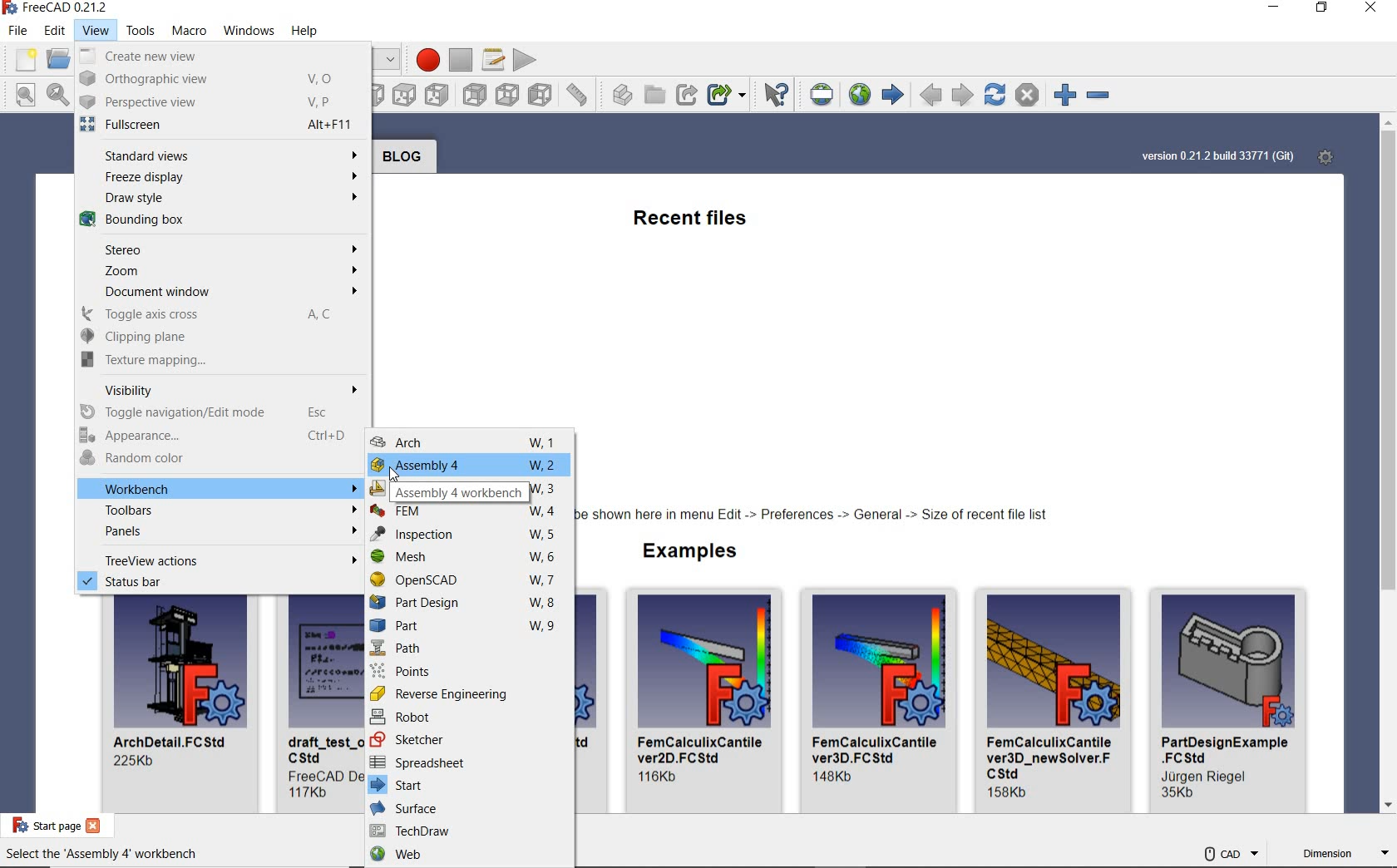  I want to click on close, so click(96, 827).